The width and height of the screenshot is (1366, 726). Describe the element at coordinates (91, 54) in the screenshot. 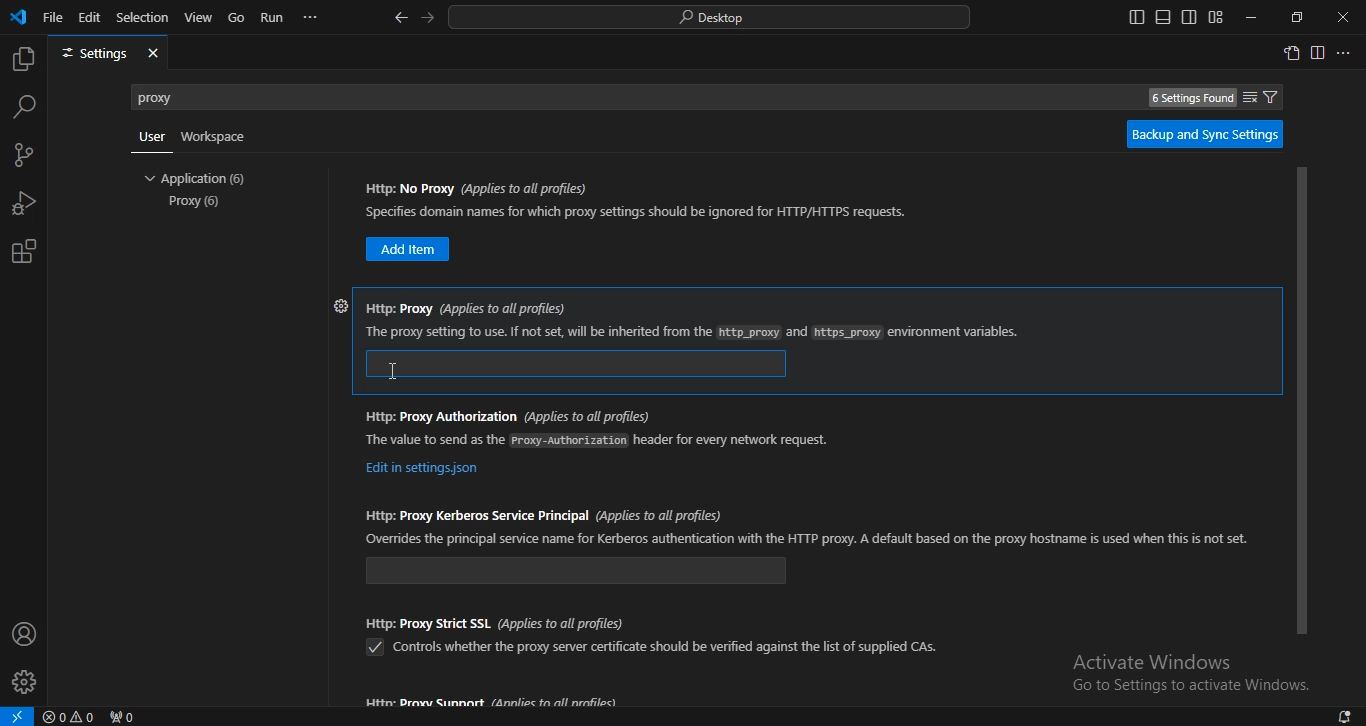

I see `settings` at that location.